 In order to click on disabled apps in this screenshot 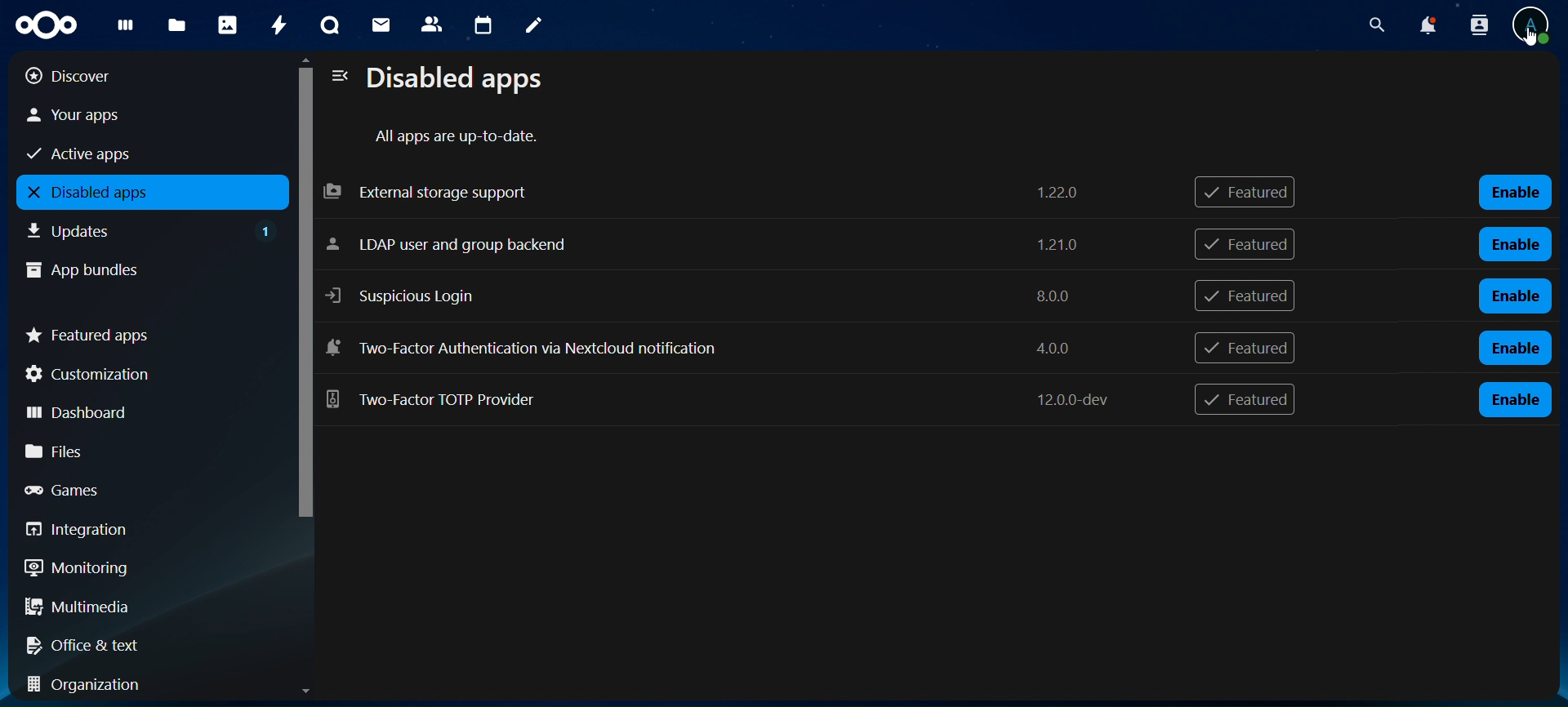, I will do `click(462, 80)`.